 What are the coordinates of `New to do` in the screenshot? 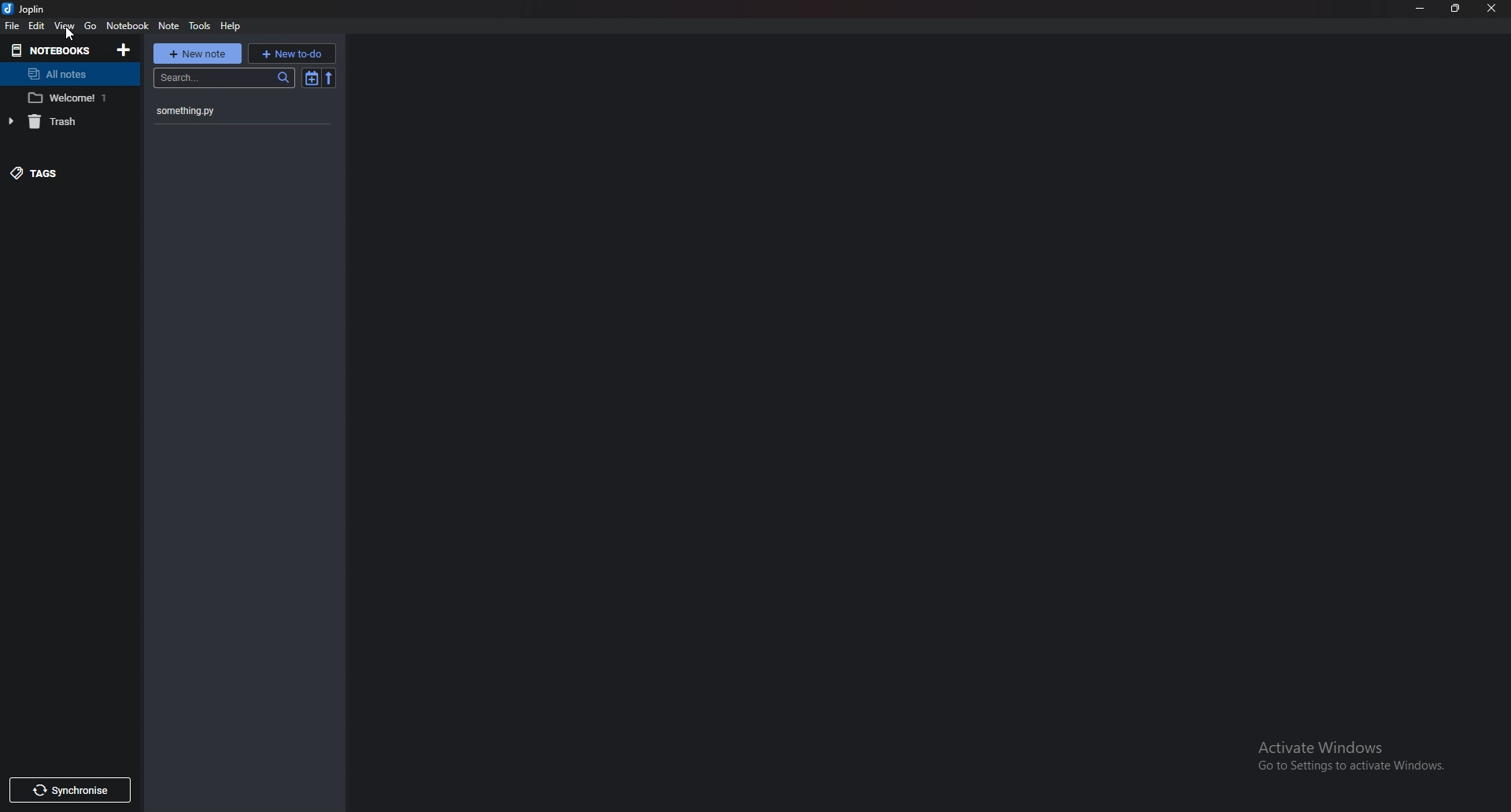 It's located at (291, 54).